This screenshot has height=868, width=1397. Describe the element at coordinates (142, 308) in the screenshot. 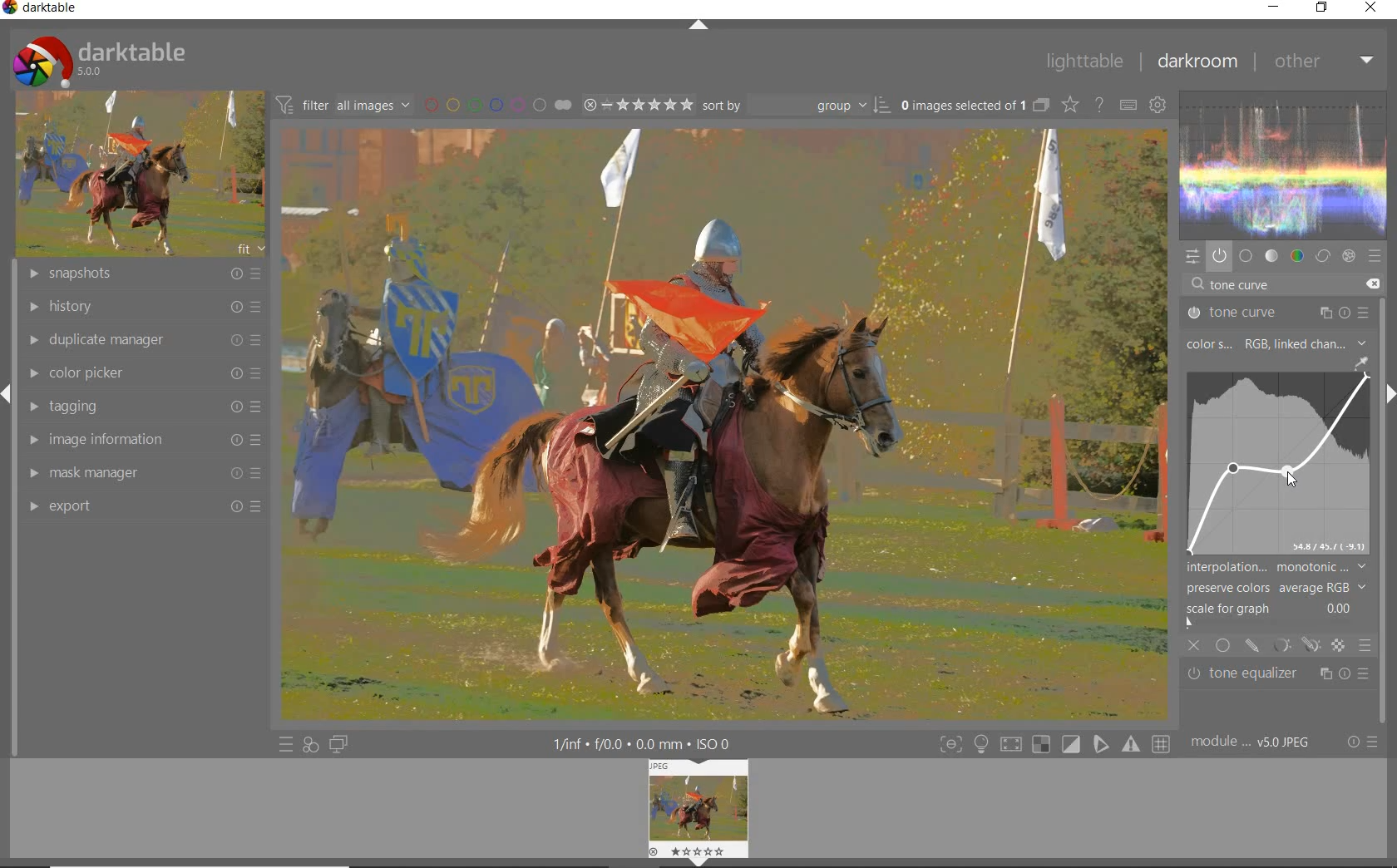

I see `history` at that location.